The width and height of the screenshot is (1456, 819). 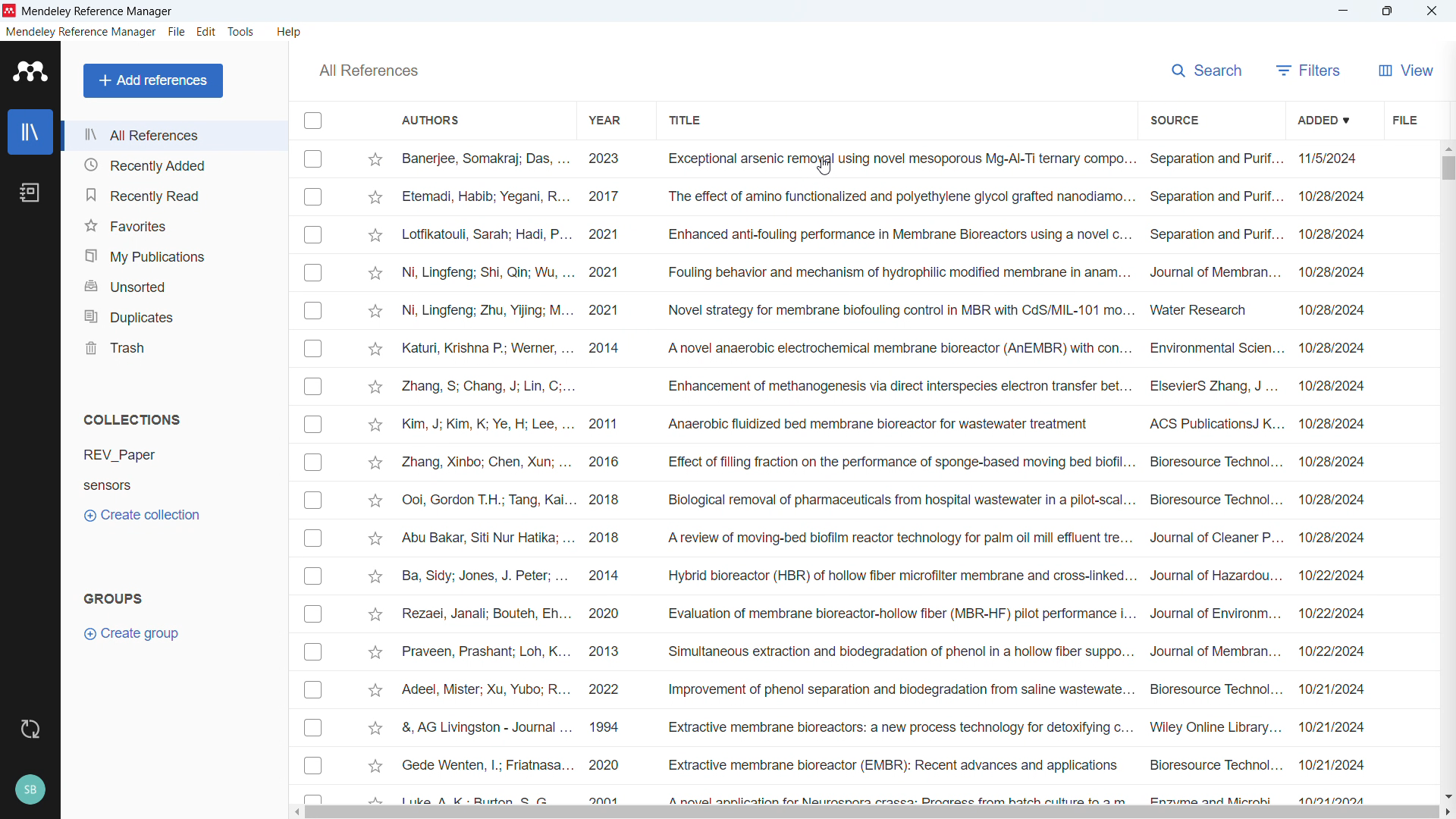 What do you see at coordinates (488, 271) in the screenshot?
I see `ni,lingfeng;shi,qin,wu` at bounding box center [488, 271].